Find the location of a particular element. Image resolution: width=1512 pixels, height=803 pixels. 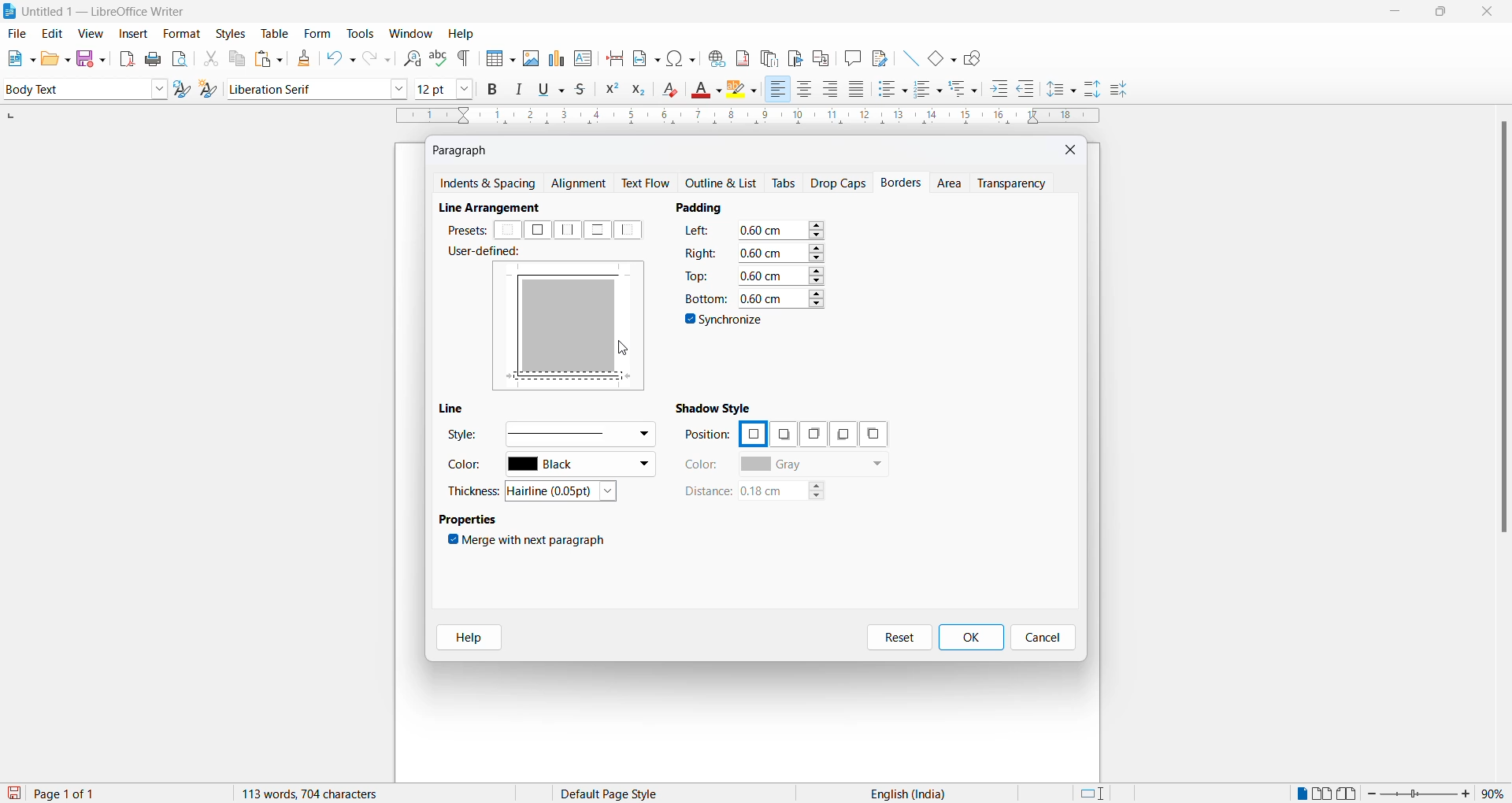

find and replace is located at coordinates (409, 57).